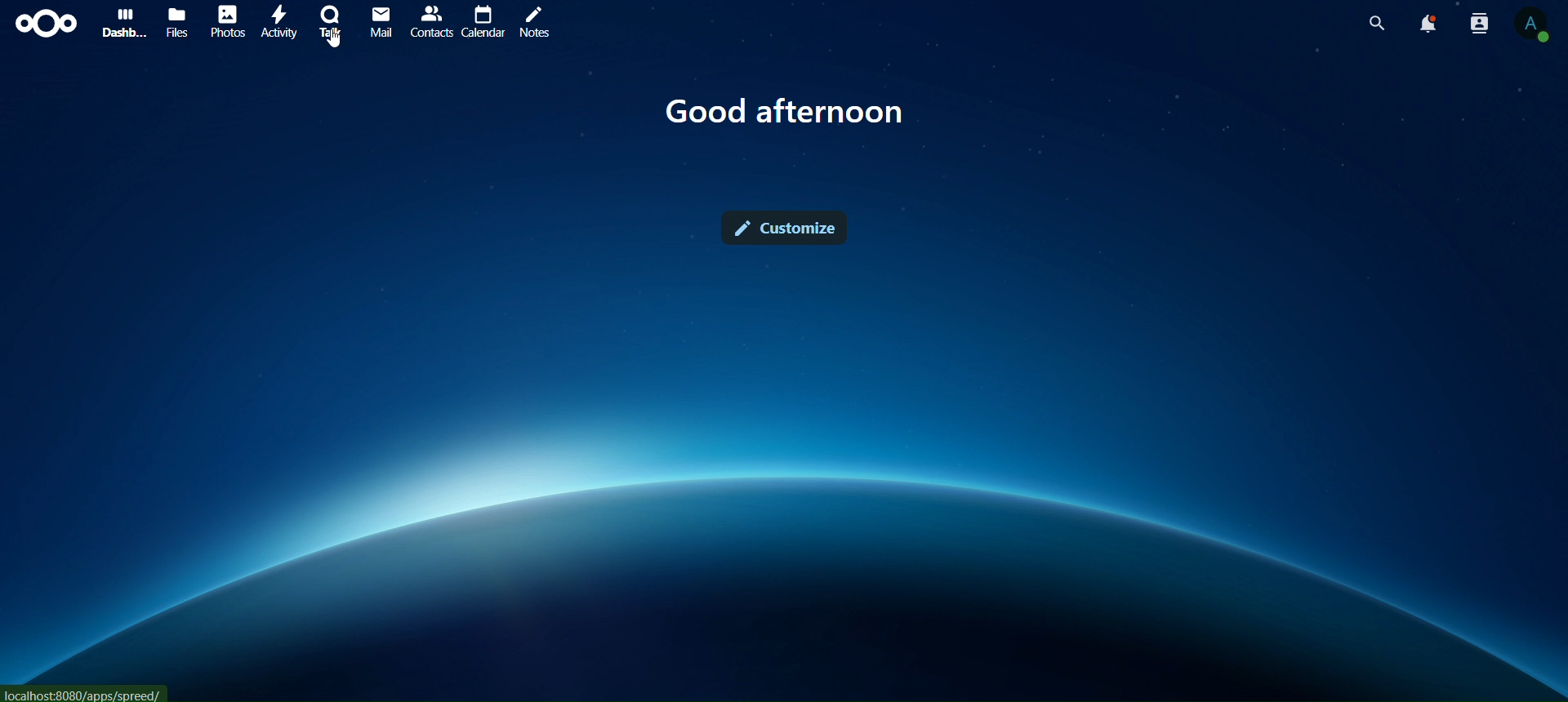 The height and width of the screenshot is (702, 1568). What do you see at coordinates (379, 21) in the screenshot?
I see `mail` at bounding box center [379, 21].